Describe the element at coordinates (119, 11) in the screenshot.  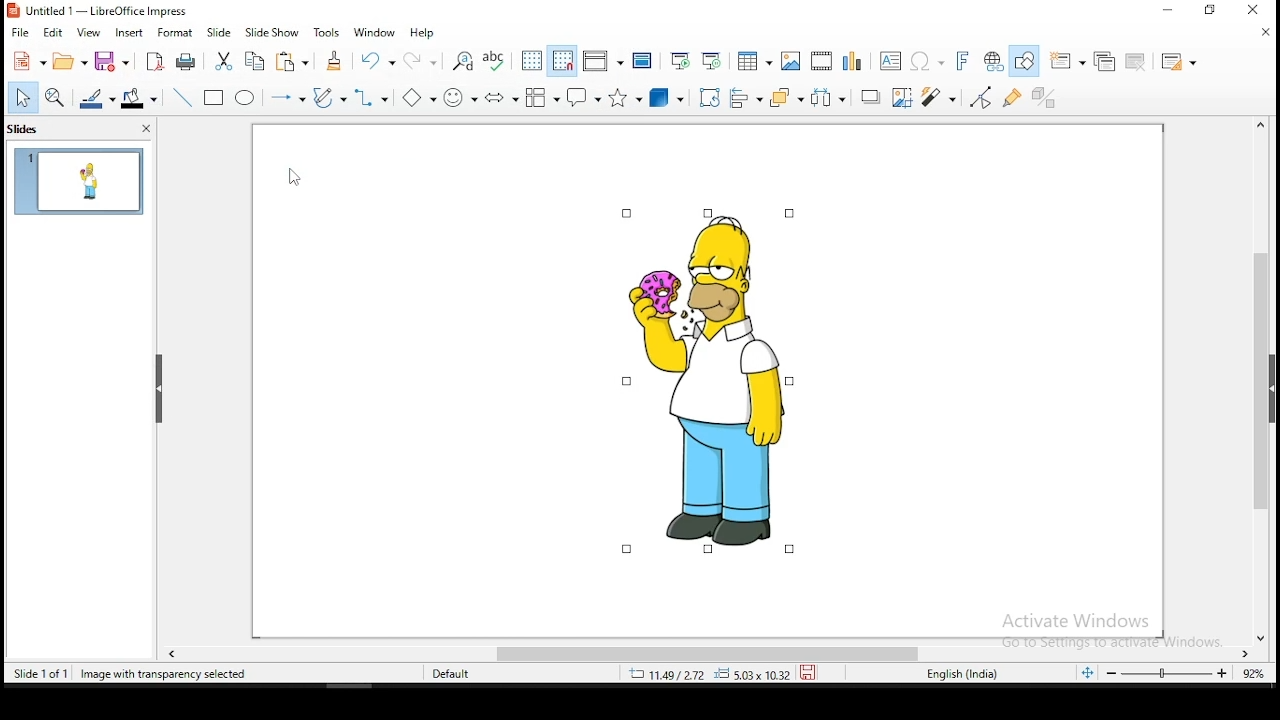
I see `icon and filename` at that location.